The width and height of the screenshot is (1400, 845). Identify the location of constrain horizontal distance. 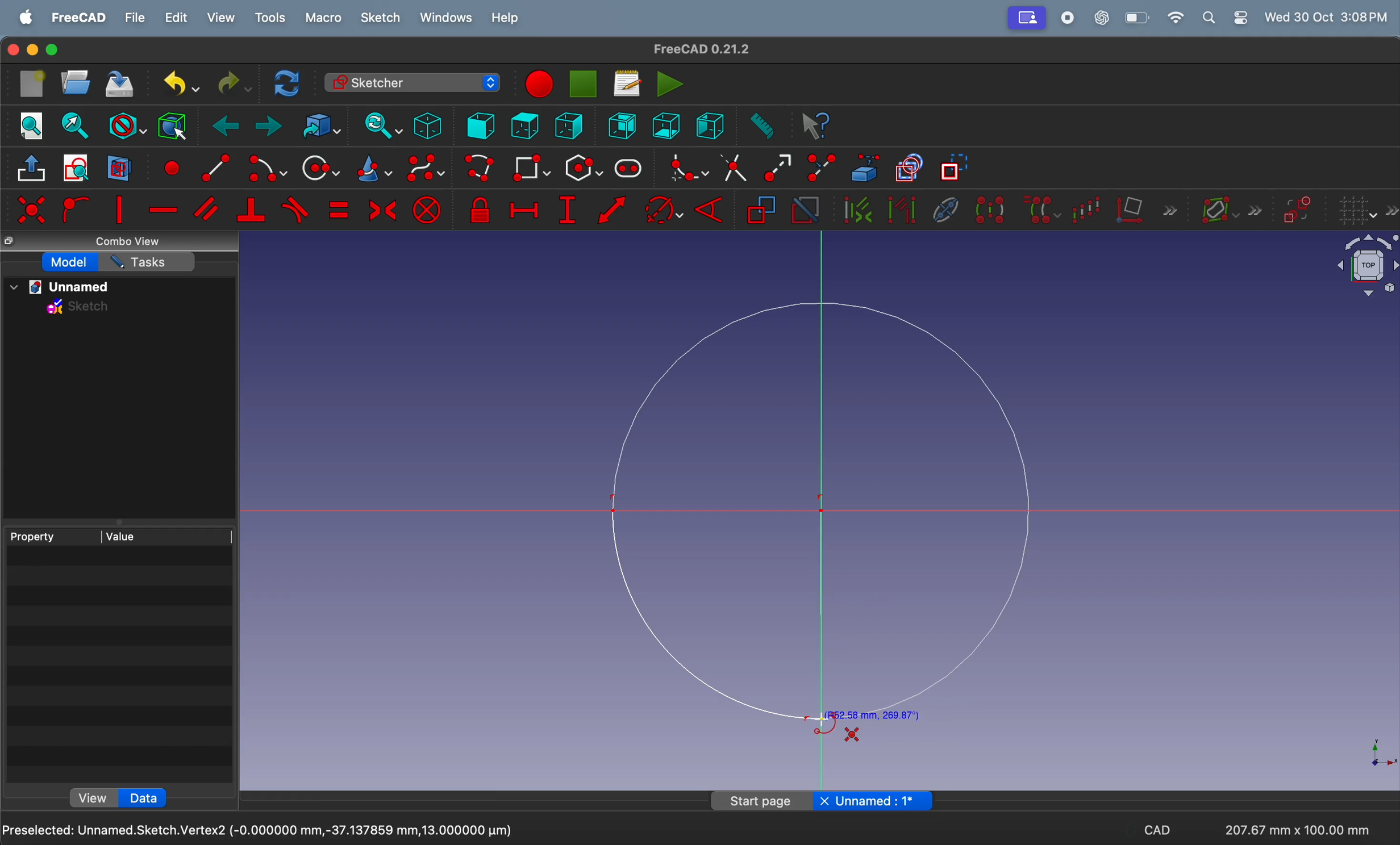
(523, 208).